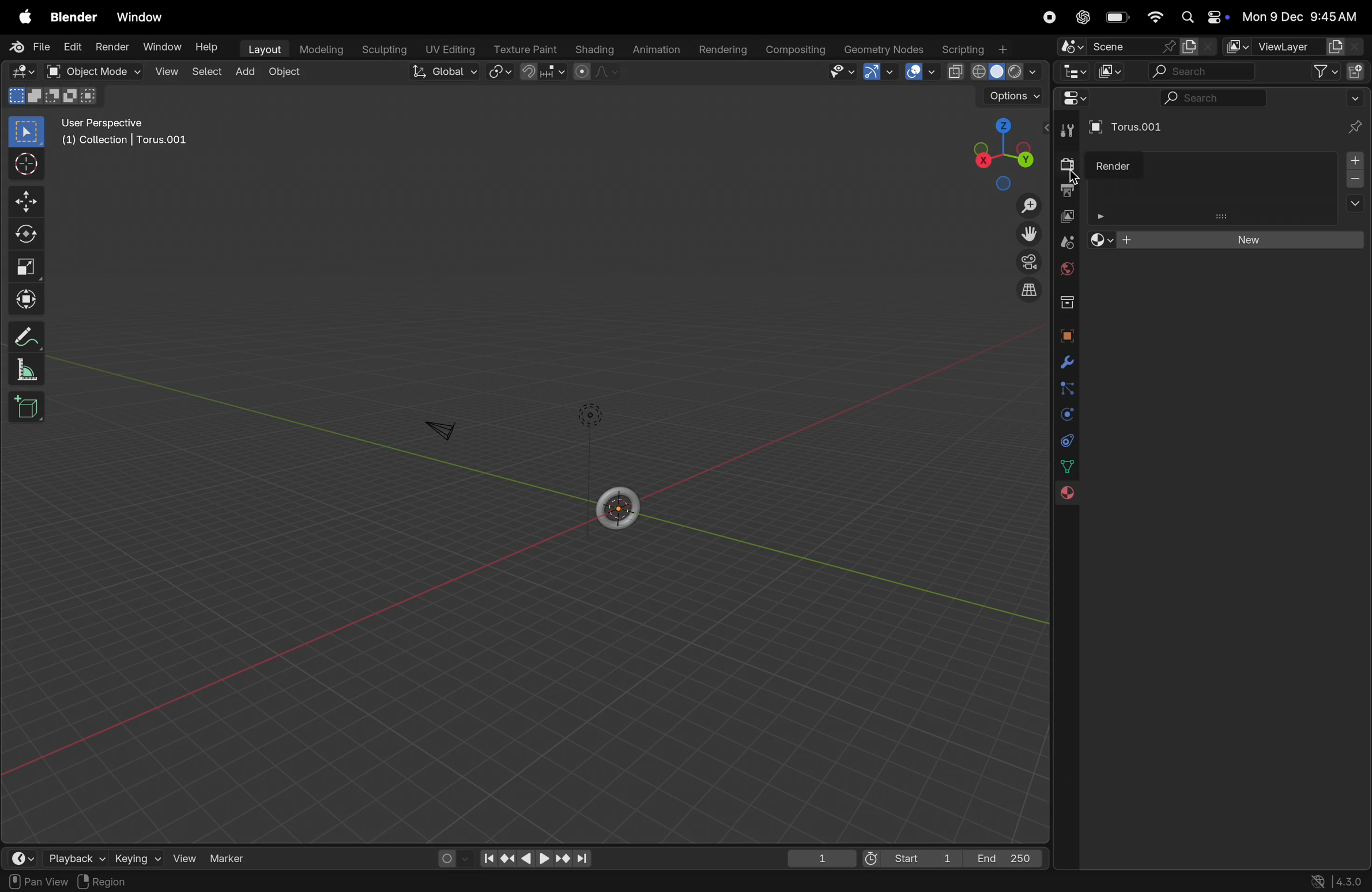  Describe the element at coordinates (885, 48) in the screenshot. I see `Geomtery notes` at that location.